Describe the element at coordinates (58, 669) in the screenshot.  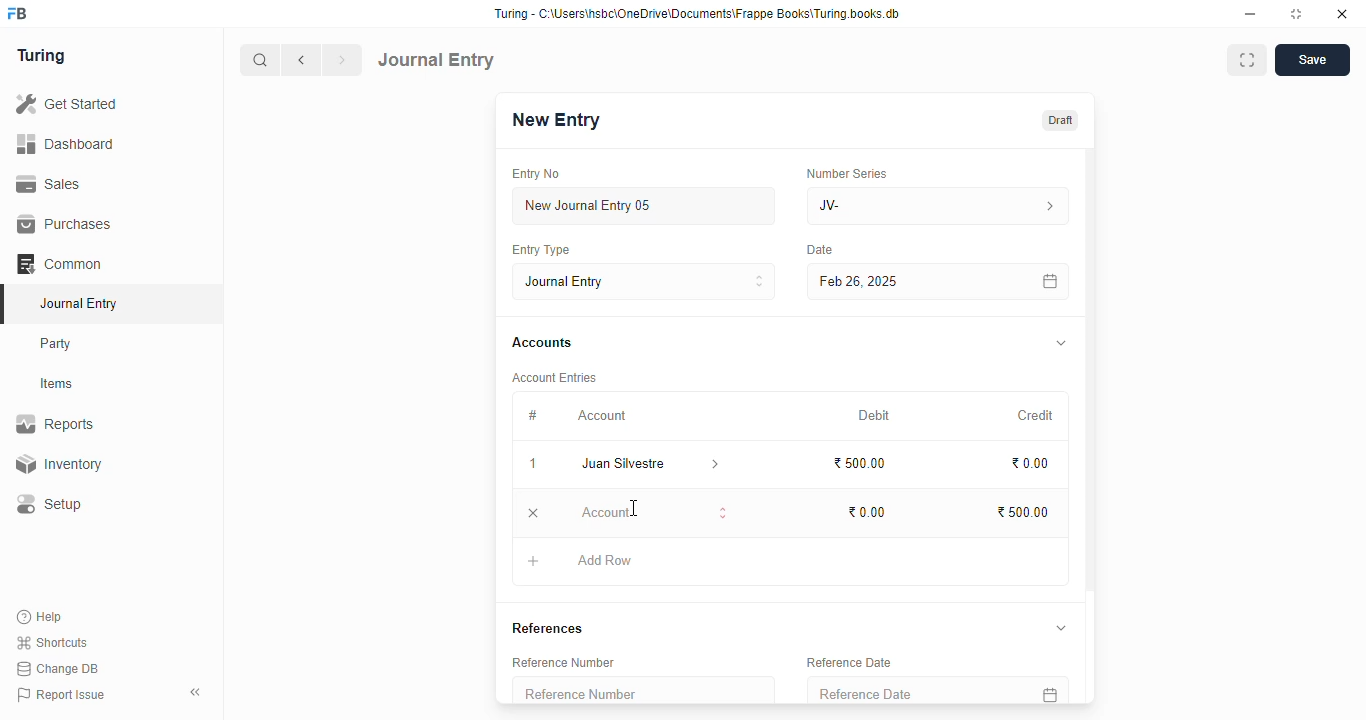
I see `change DB` at that location.